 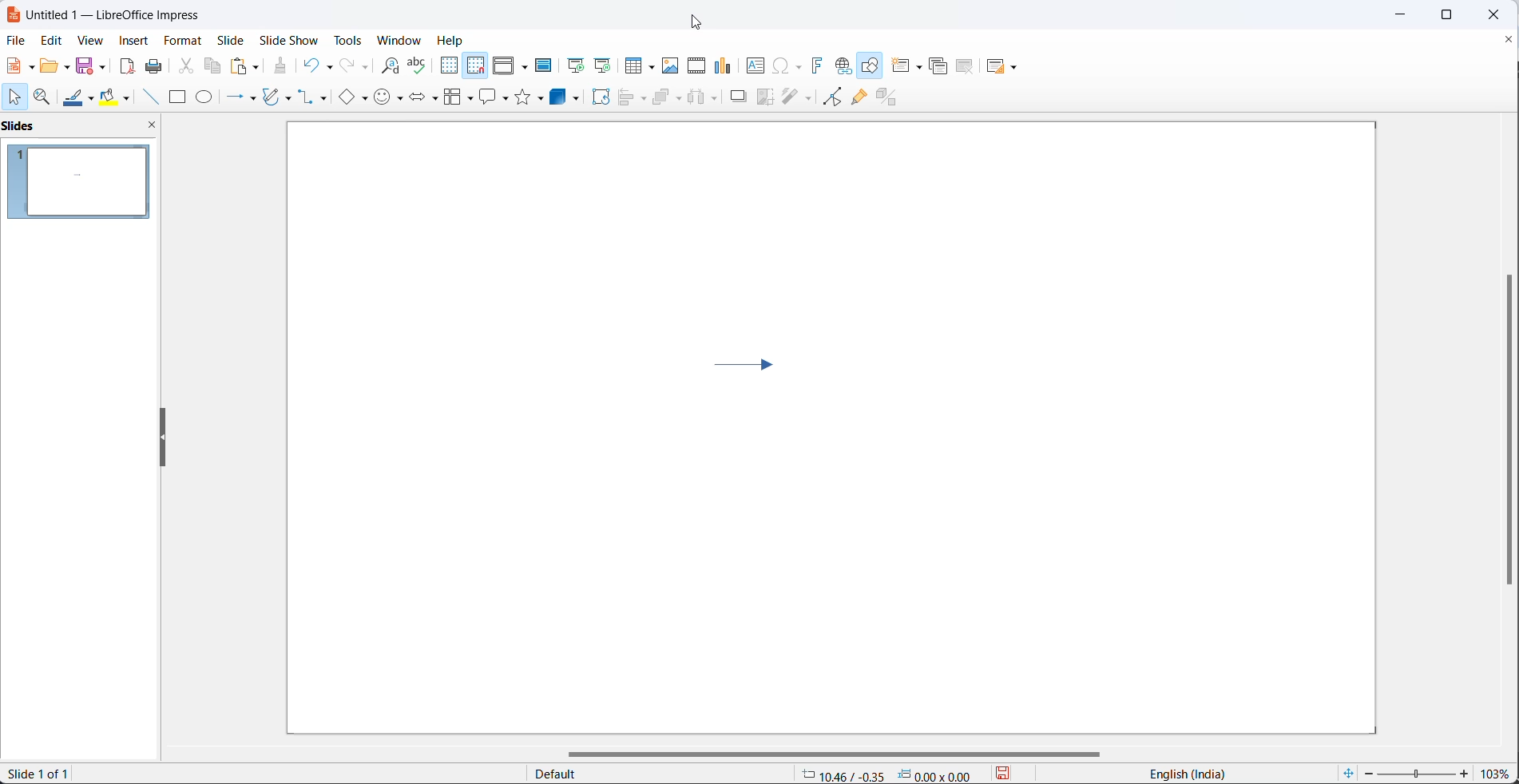 What do you see at coordinates (1503, 430) in the screenshot?
I see `scroll bar` at bounding box center [1503, 430].